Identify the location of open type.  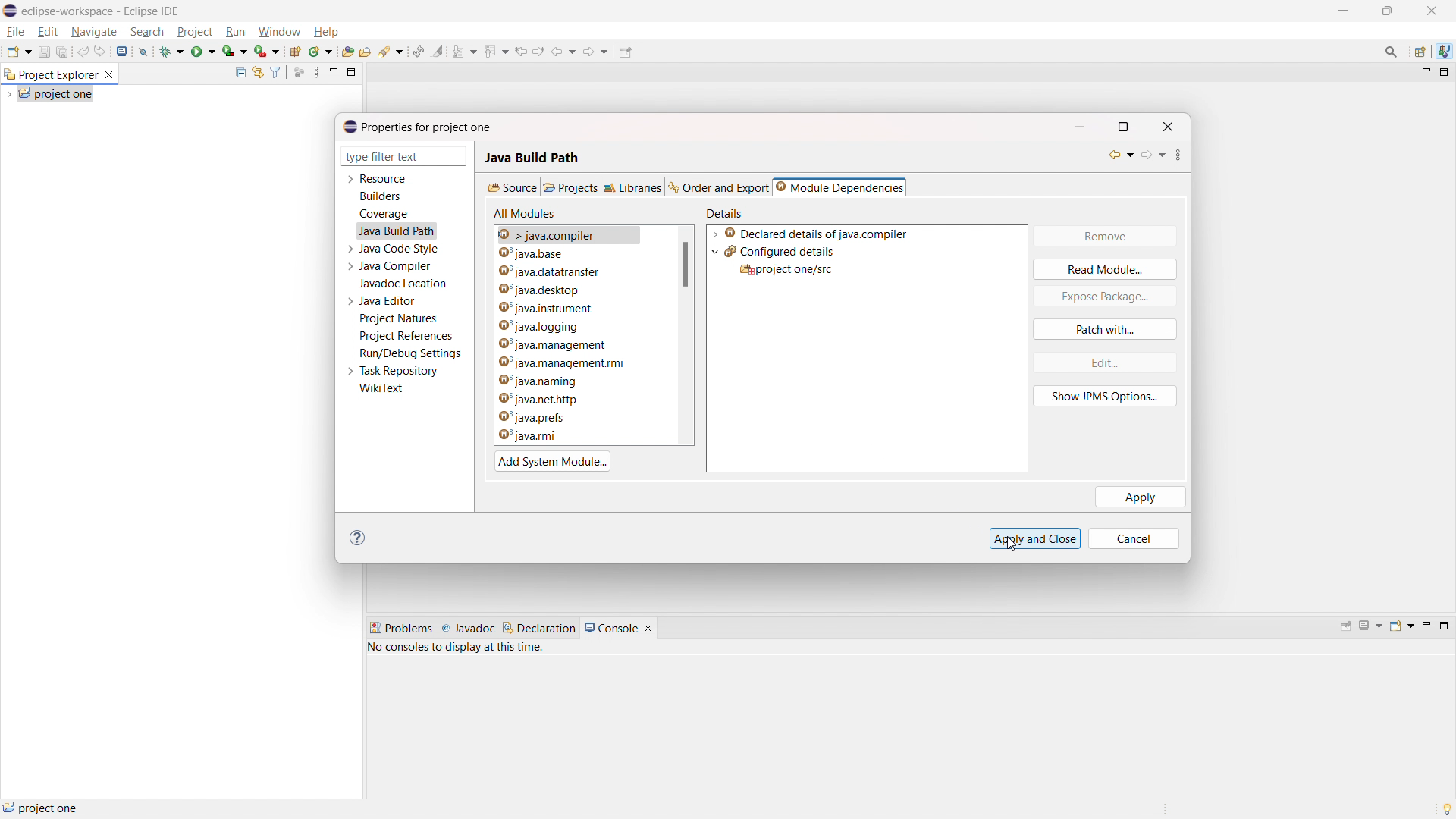
(348, 51).